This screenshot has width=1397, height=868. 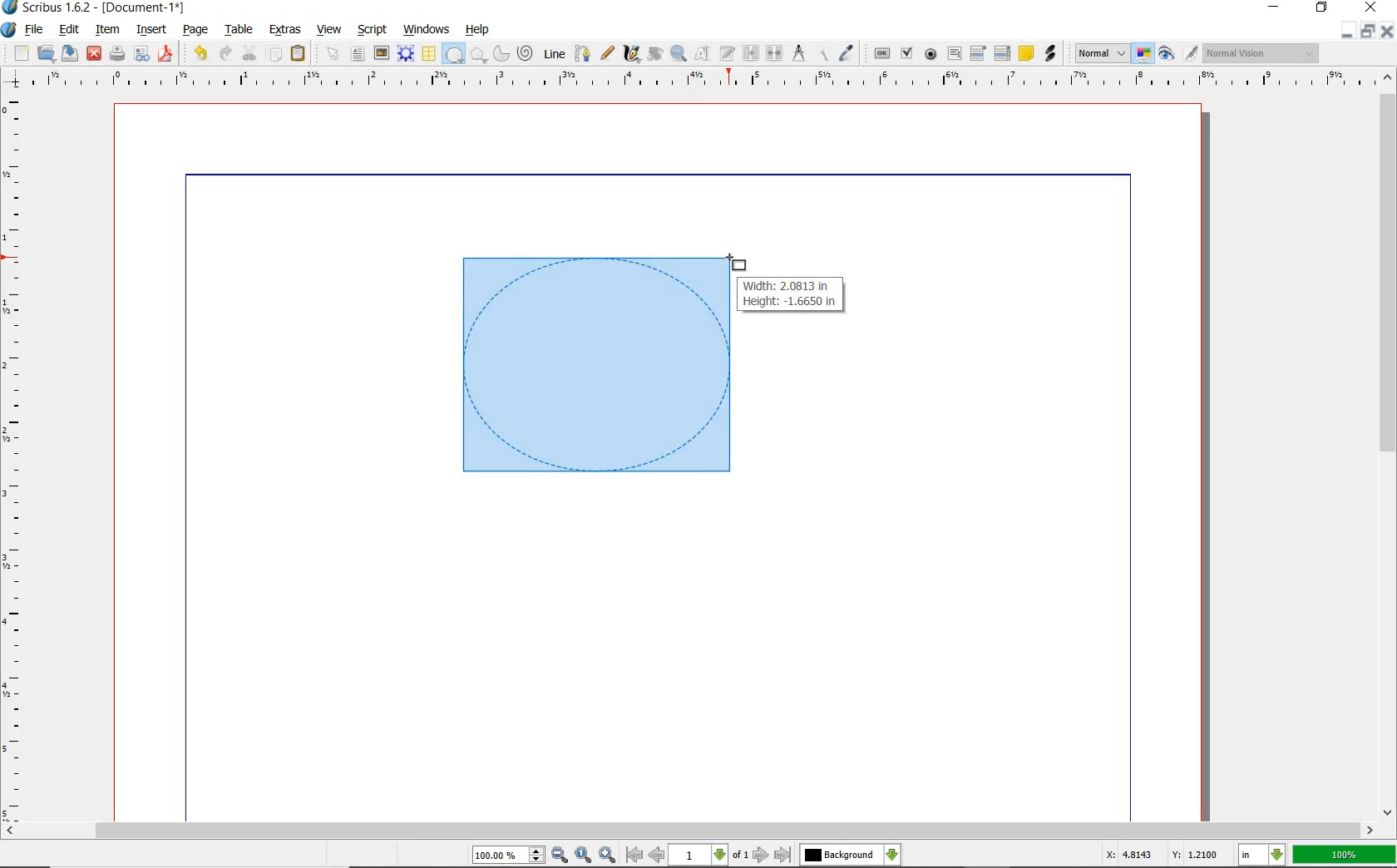 I want to click on coordinates, so click(x=1160, y=855).